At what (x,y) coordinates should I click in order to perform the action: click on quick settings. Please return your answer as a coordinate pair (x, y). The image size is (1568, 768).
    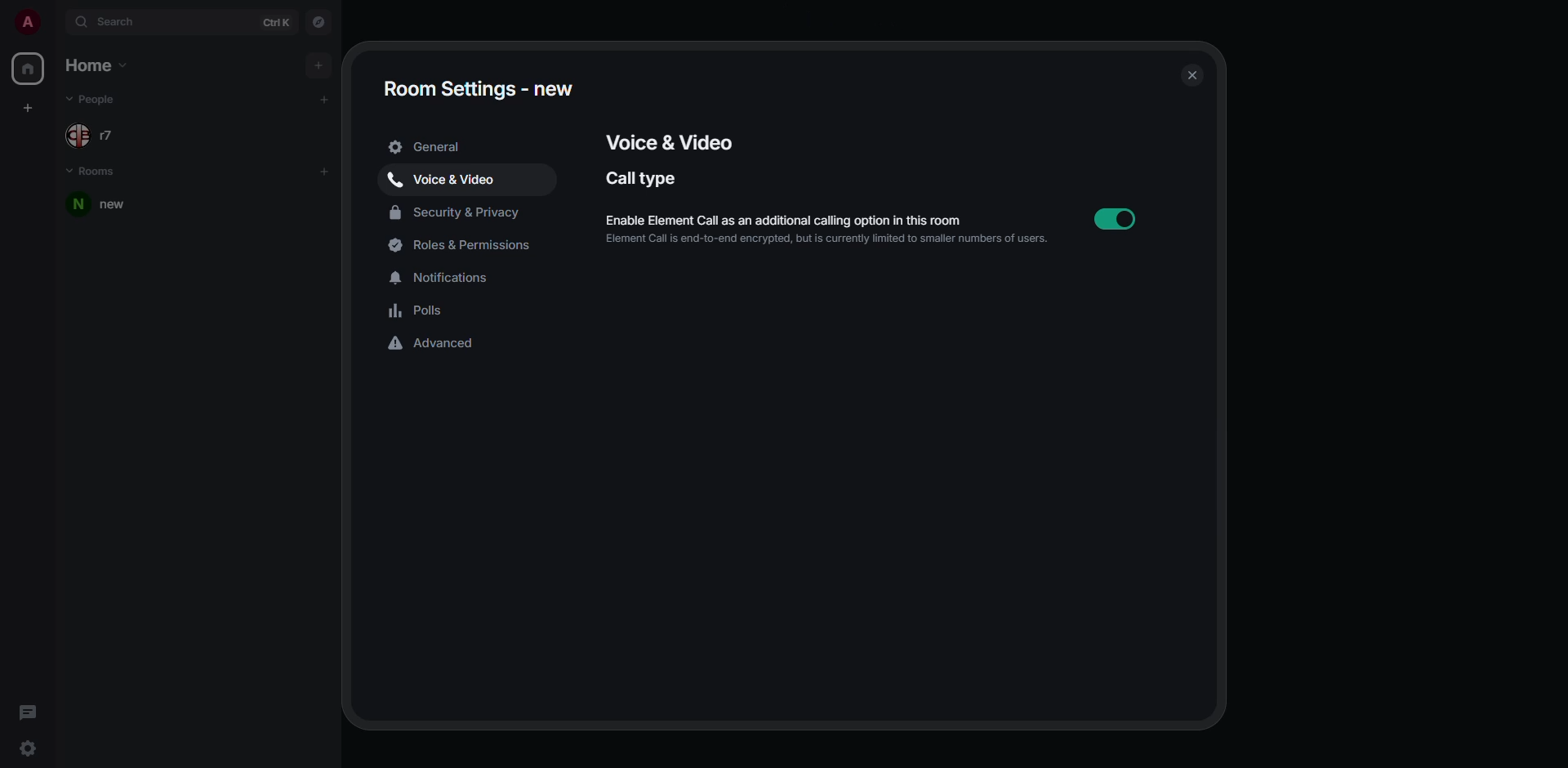
    Looking at the image, I should click on (29, 748).